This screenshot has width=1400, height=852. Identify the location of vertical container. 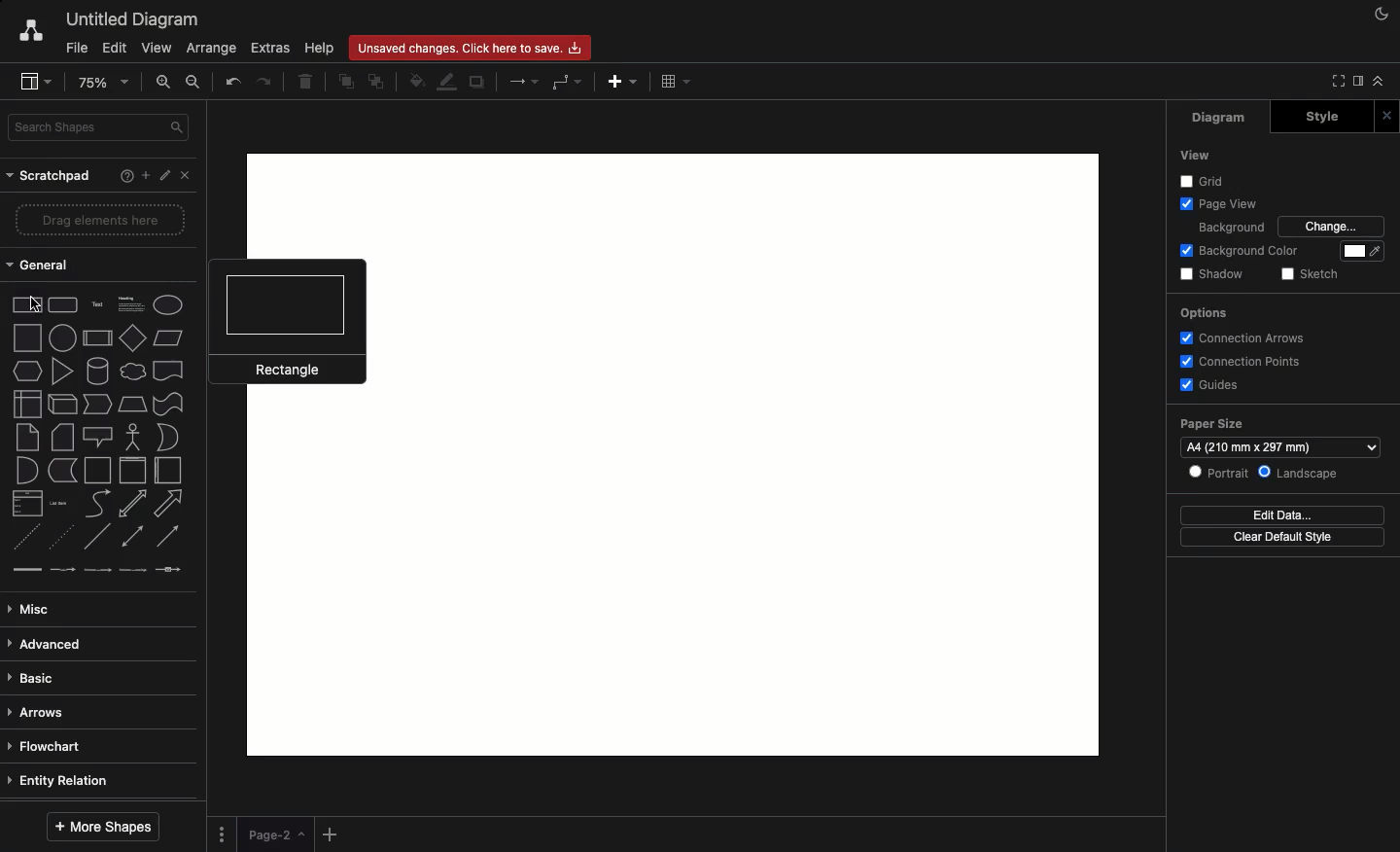
(131, 472).